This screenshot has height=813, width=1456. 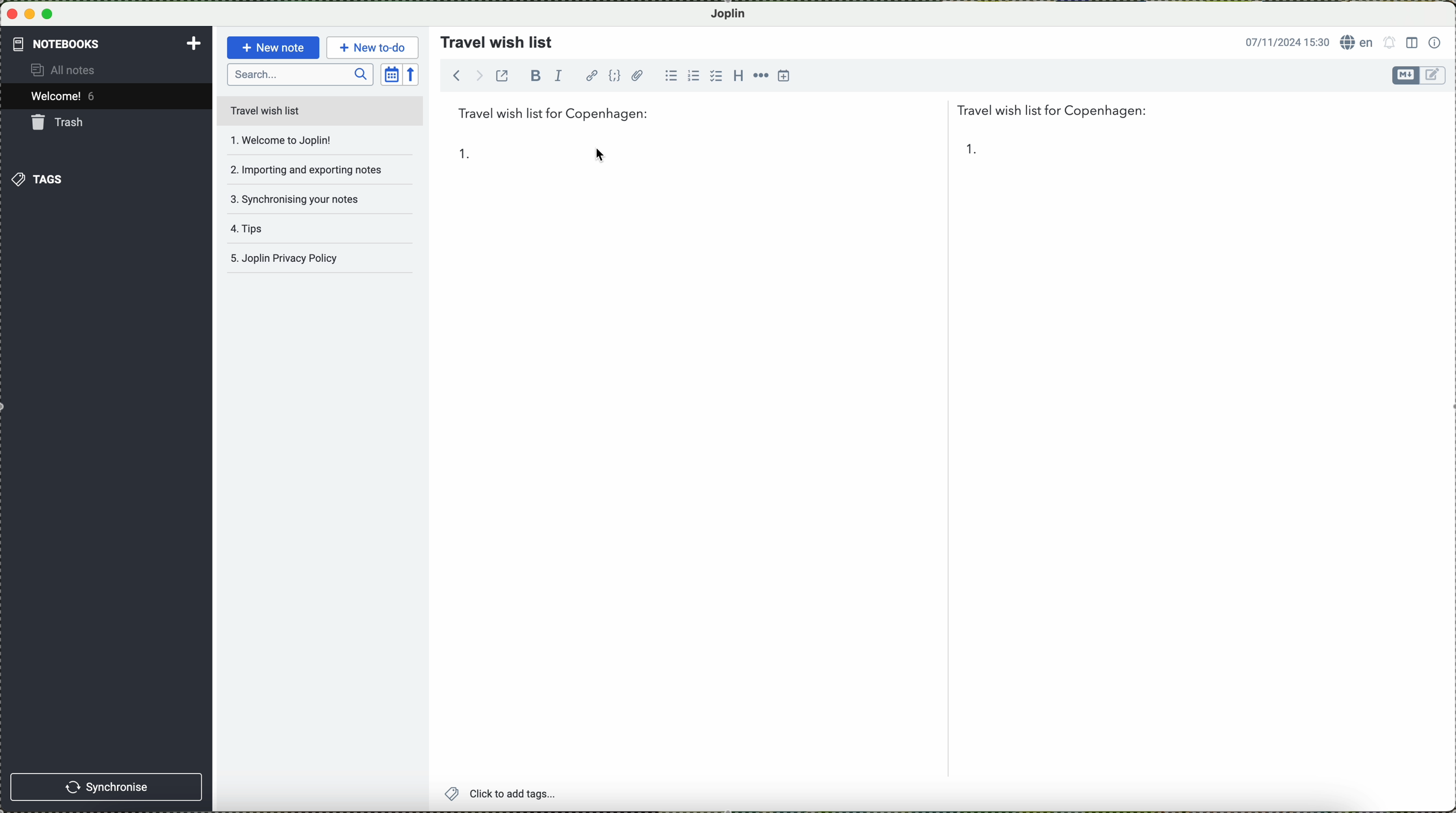 What do you see at coordinates (73, 71) in the screenshot?
I see `all notes` at bounding box center [73, 71].